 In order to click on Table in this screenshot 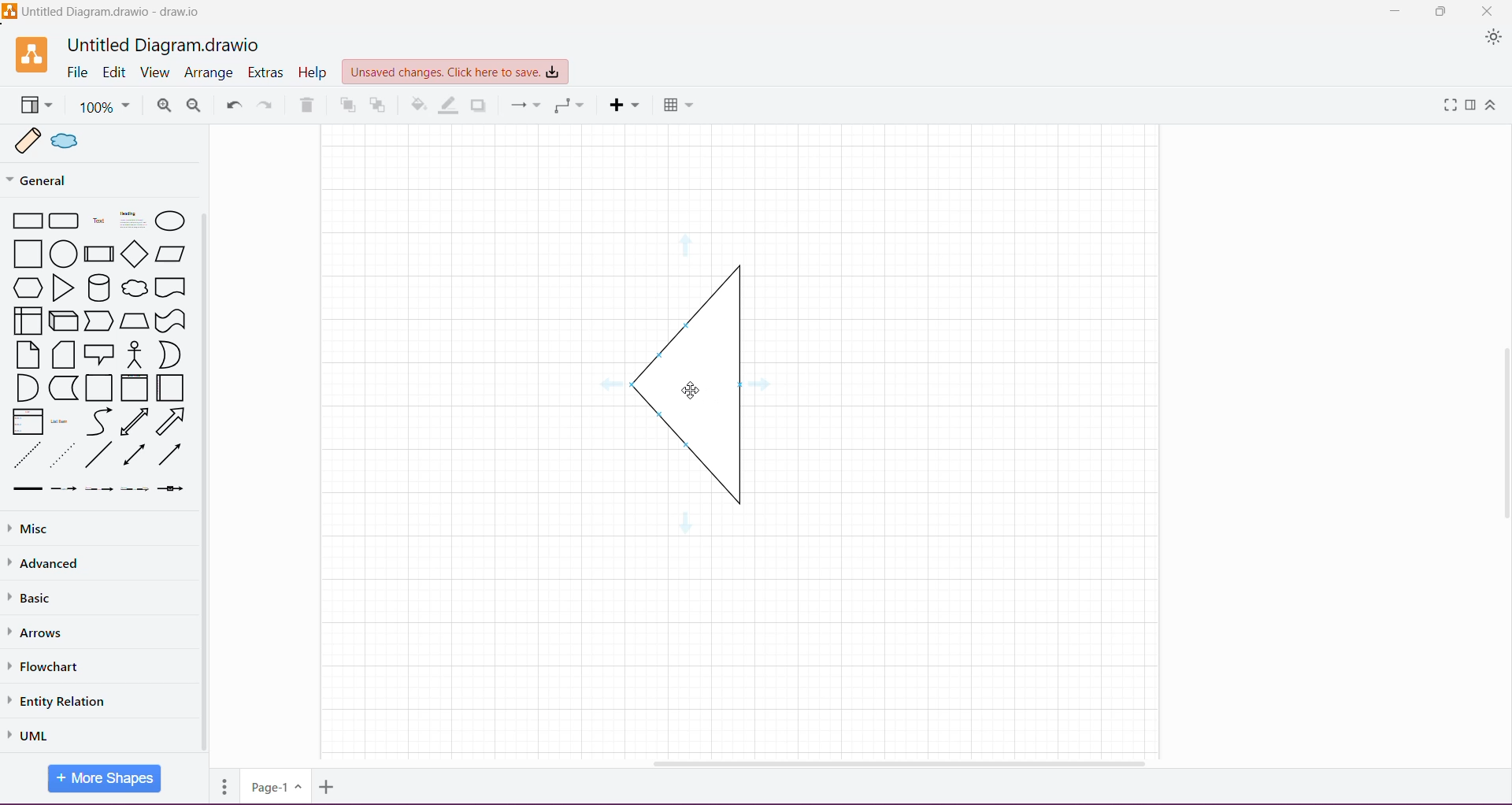, I will do `click(679, 106)`.